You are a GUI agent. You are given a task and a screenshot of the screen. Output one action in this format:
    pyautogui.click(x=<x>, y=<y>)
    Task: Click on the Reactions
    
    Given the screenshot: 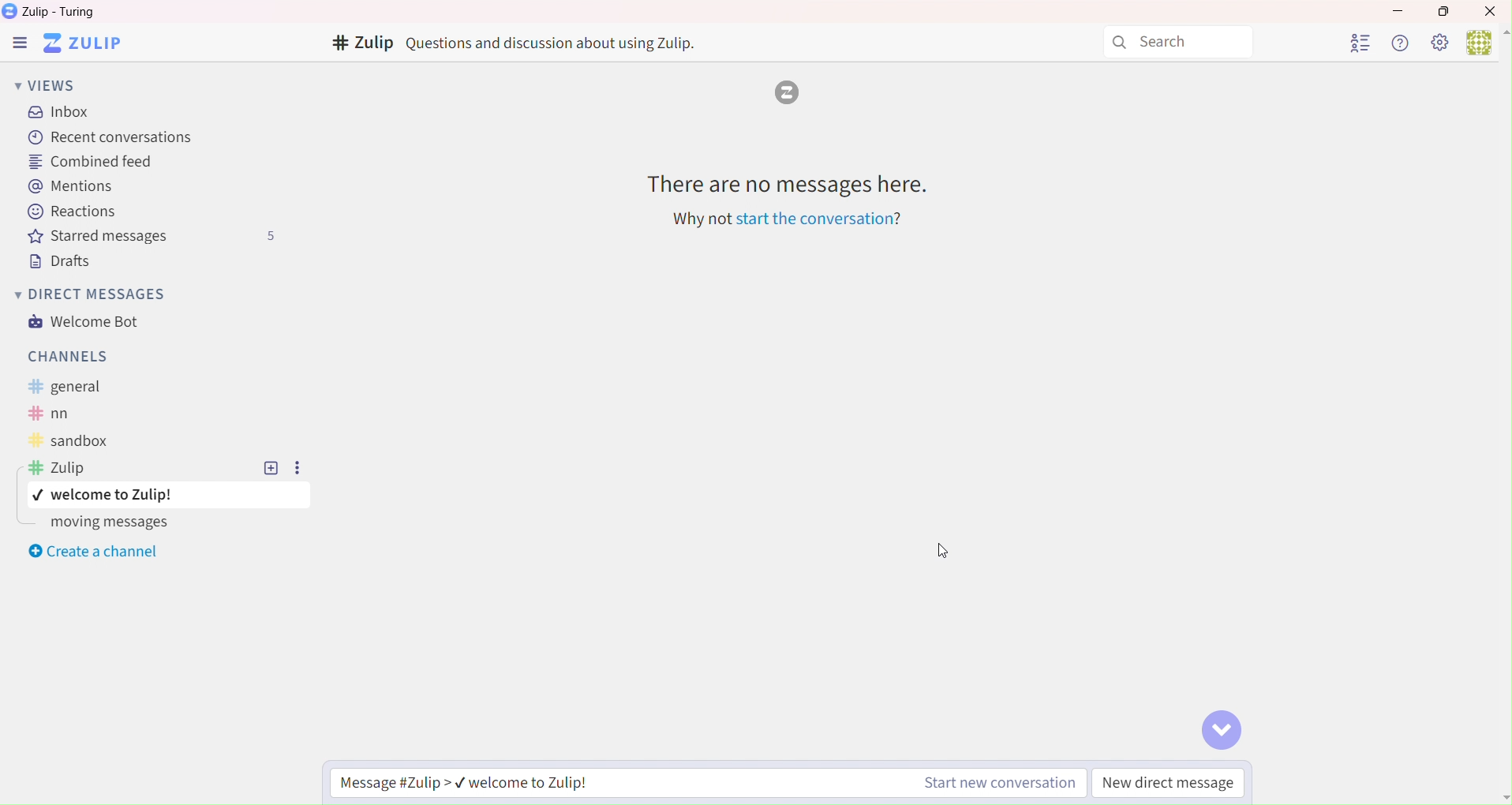 What is the action you would take?
    pyautogui.click(x=74, y=211)
    